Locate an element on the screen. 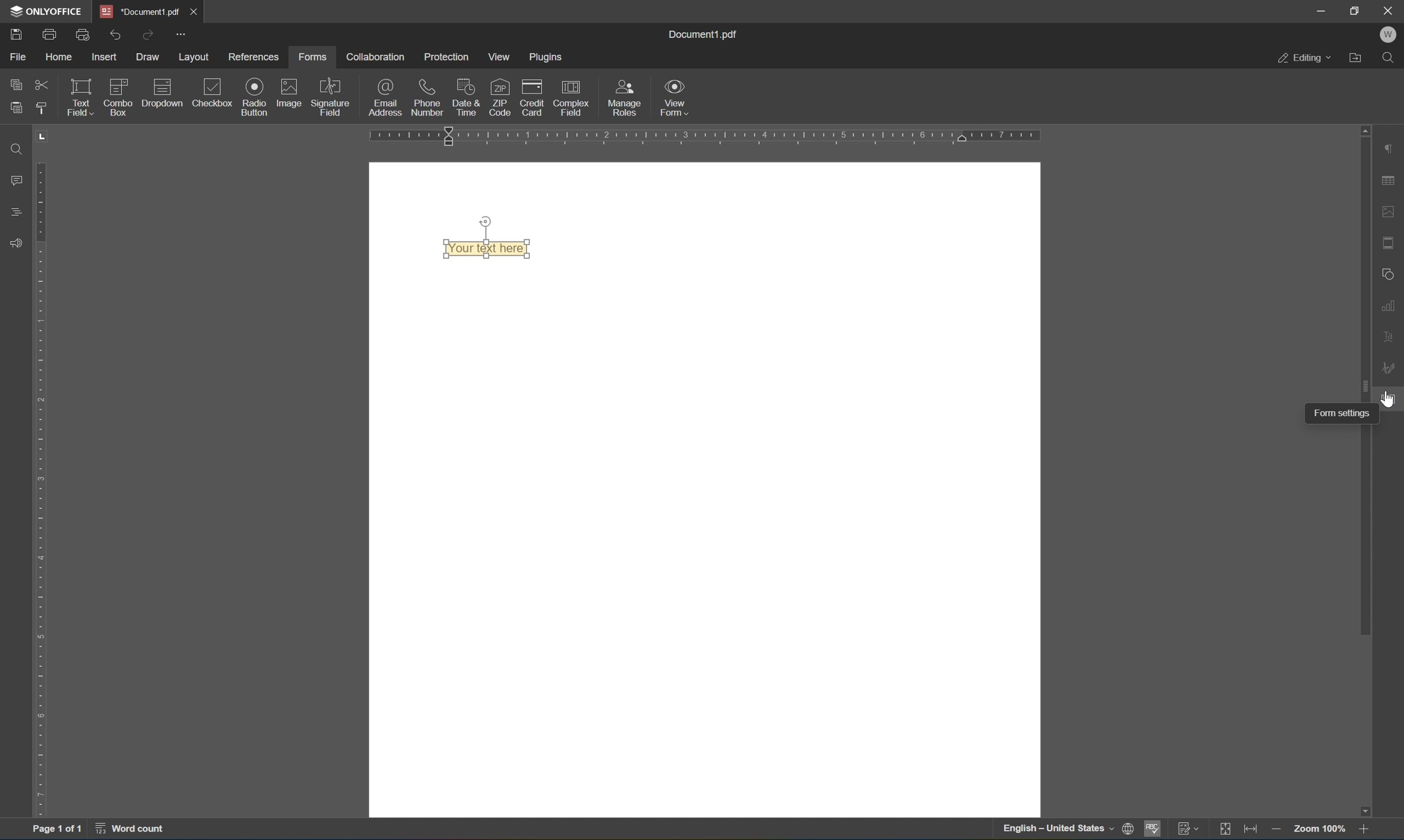 The width and height of the screenshot is (1404, 840). close is located at coordinates (192, 11).